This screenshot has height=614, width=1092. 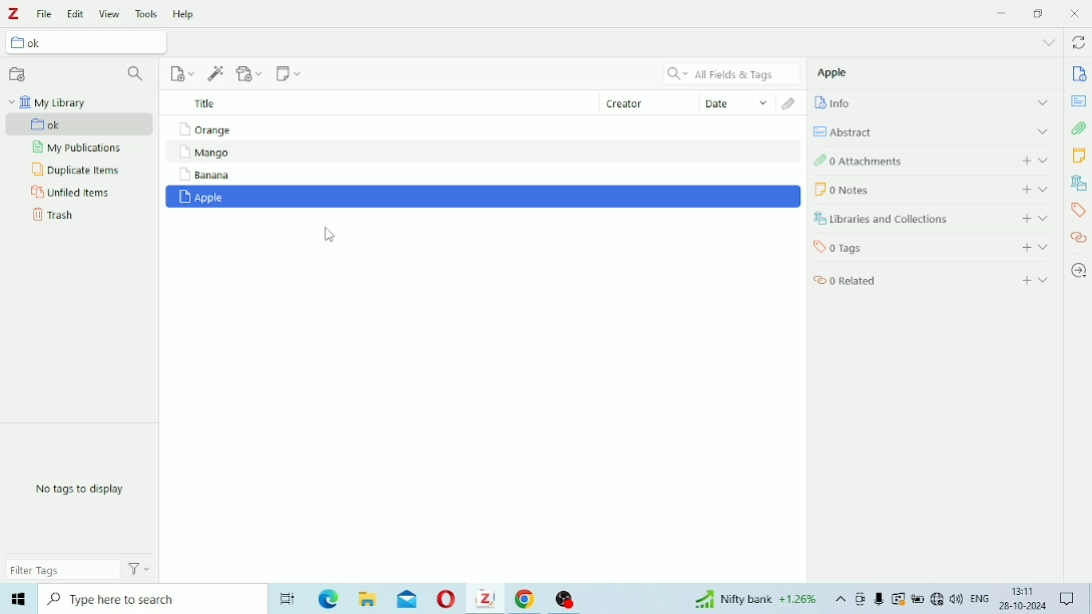 What do you see at coordinates (367, 601) in the screenshot?
I see `Documents Explorer` at bounding box center [367, 601].